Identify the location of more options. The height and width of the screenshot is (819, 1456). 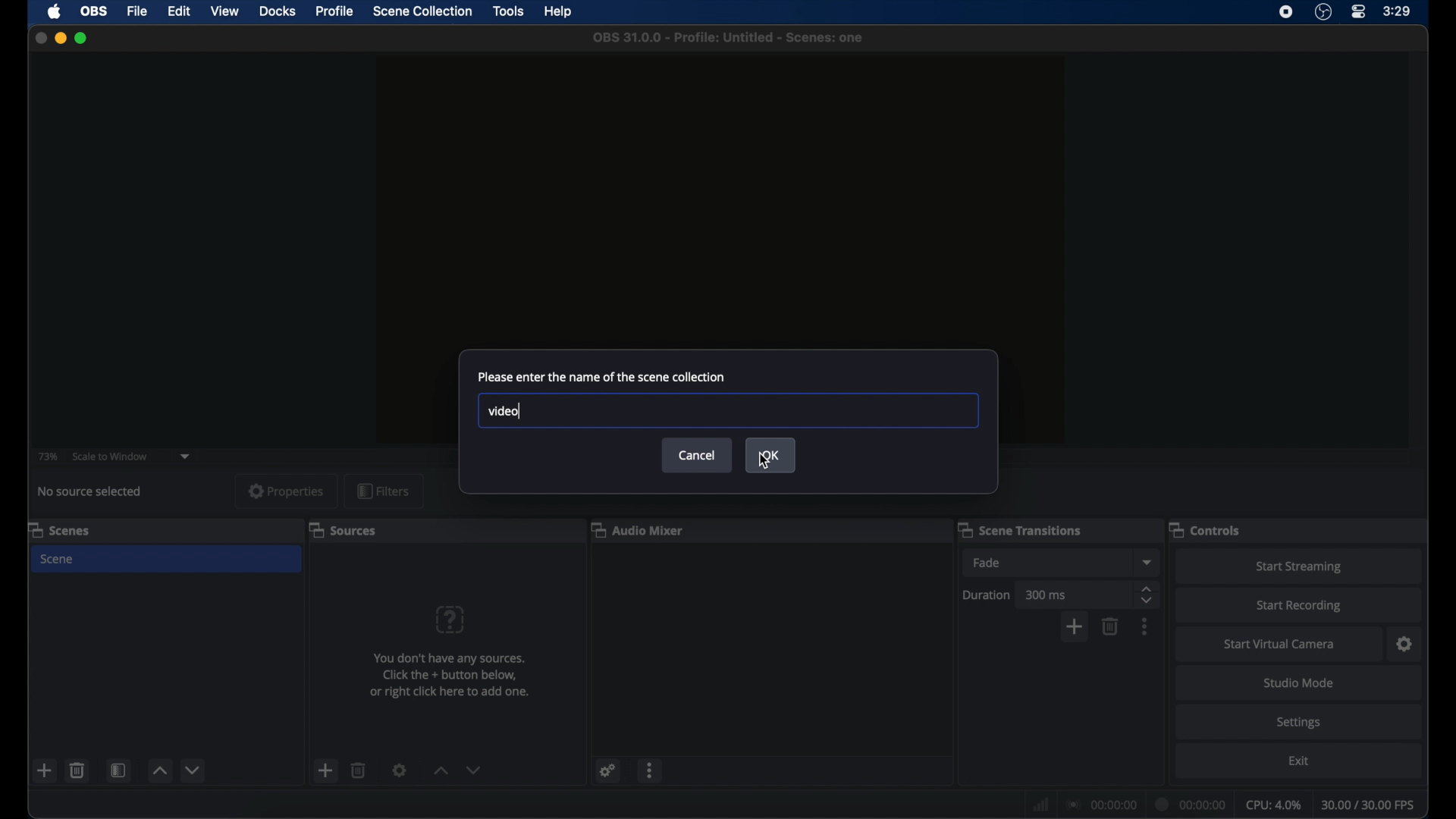
(1145, 626).